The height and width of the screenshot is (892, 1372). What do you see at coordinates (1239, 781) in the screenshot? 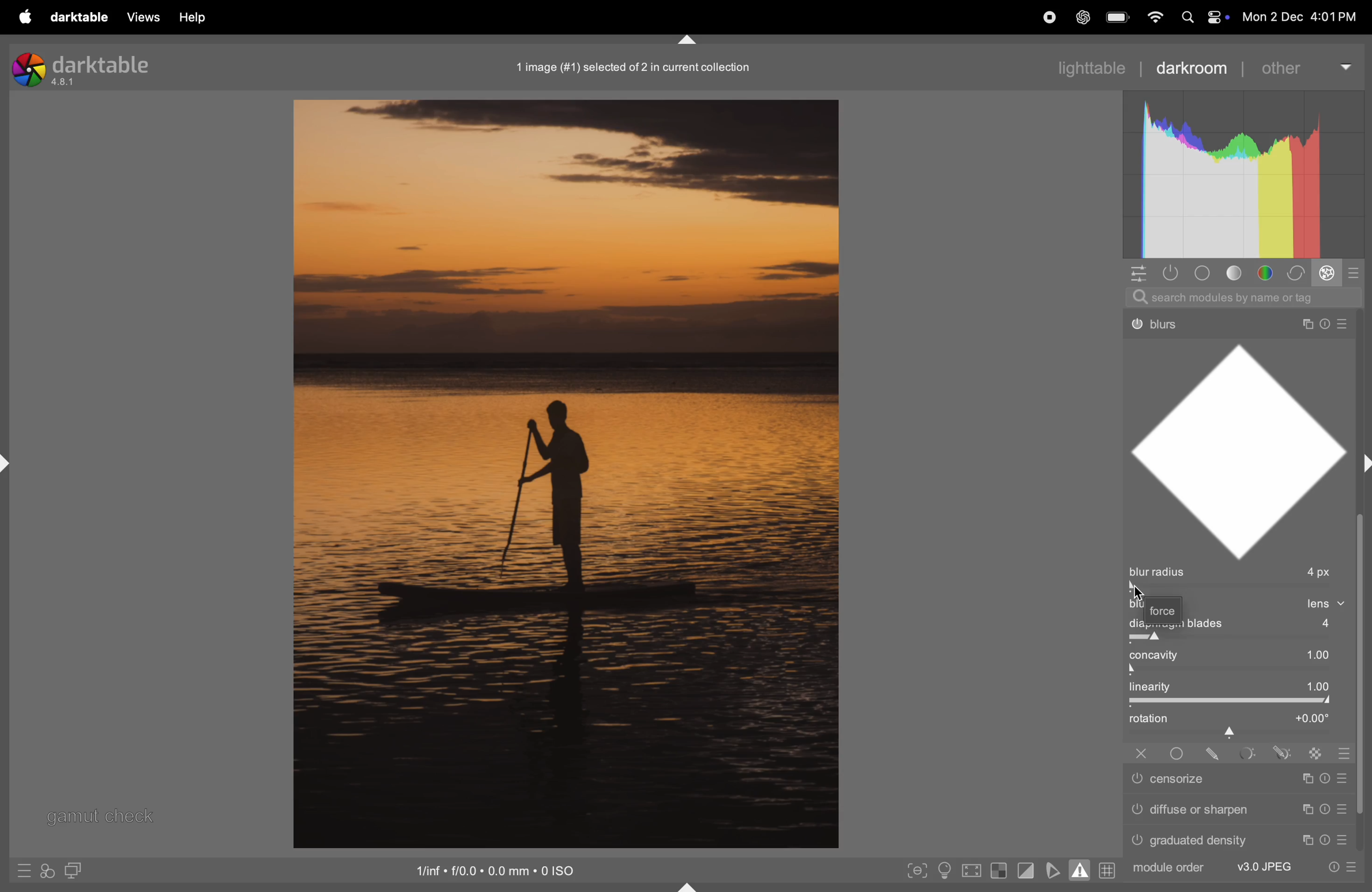
I see `` at bounding box center [1239, 781].